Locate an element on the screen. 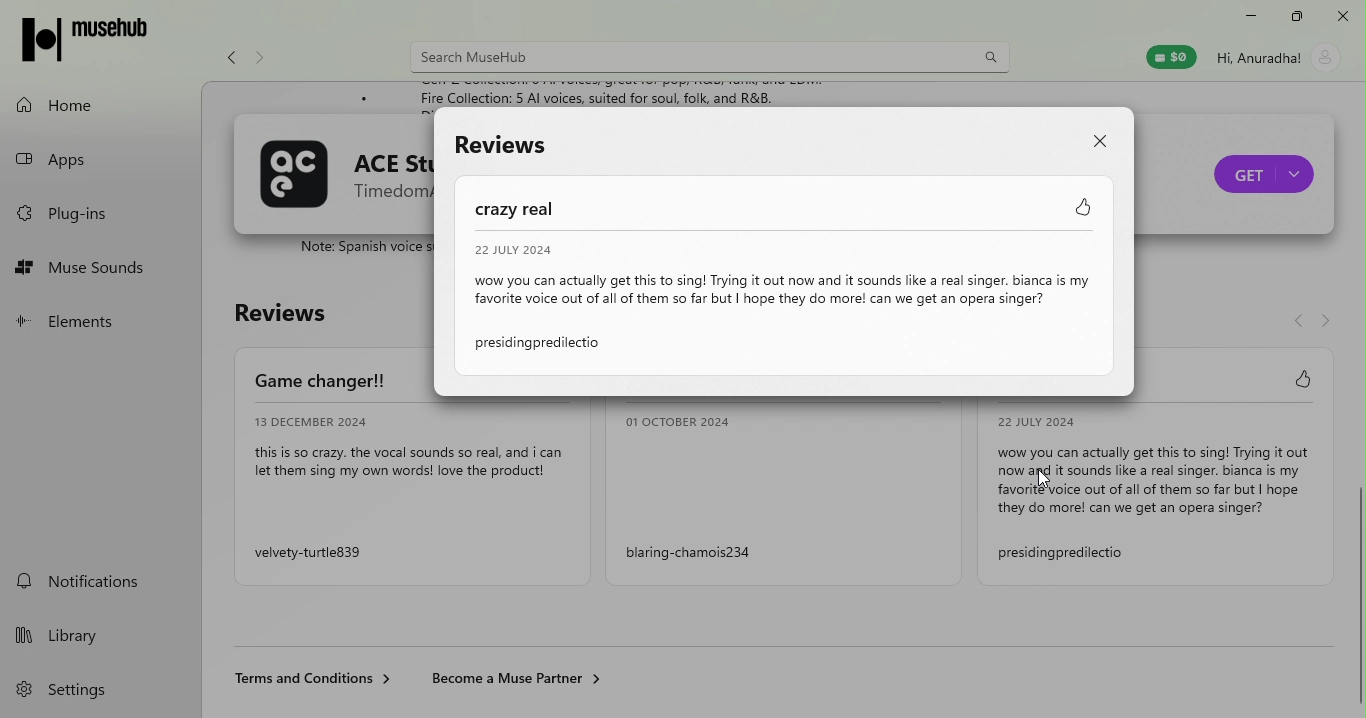 The image size is (1366, 718). home is located at coordinates (94, 105).